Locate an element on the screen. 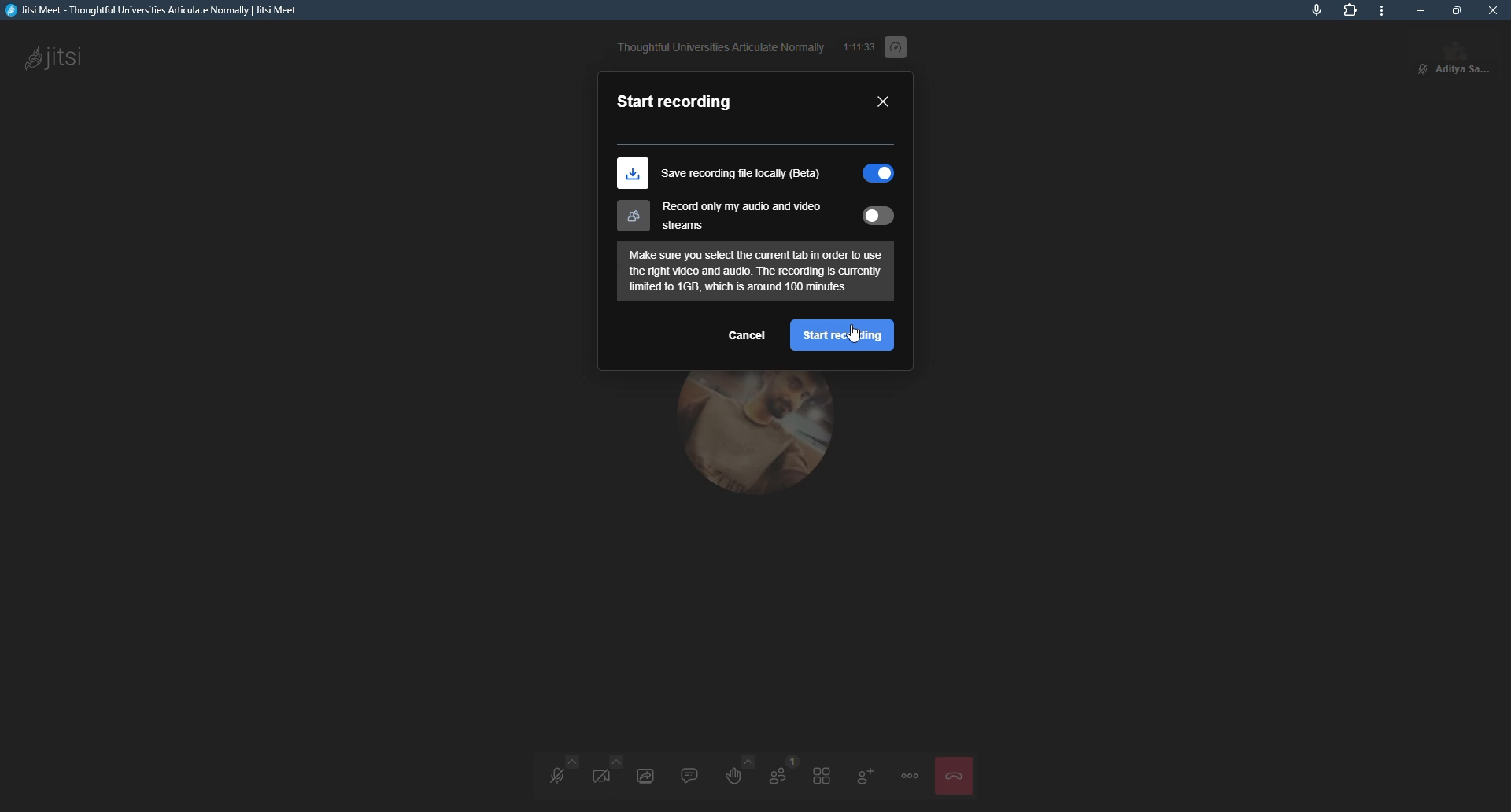 The width and height of the screenshot is (1511, 812). unmute mic is located at coordinates (554, 781).